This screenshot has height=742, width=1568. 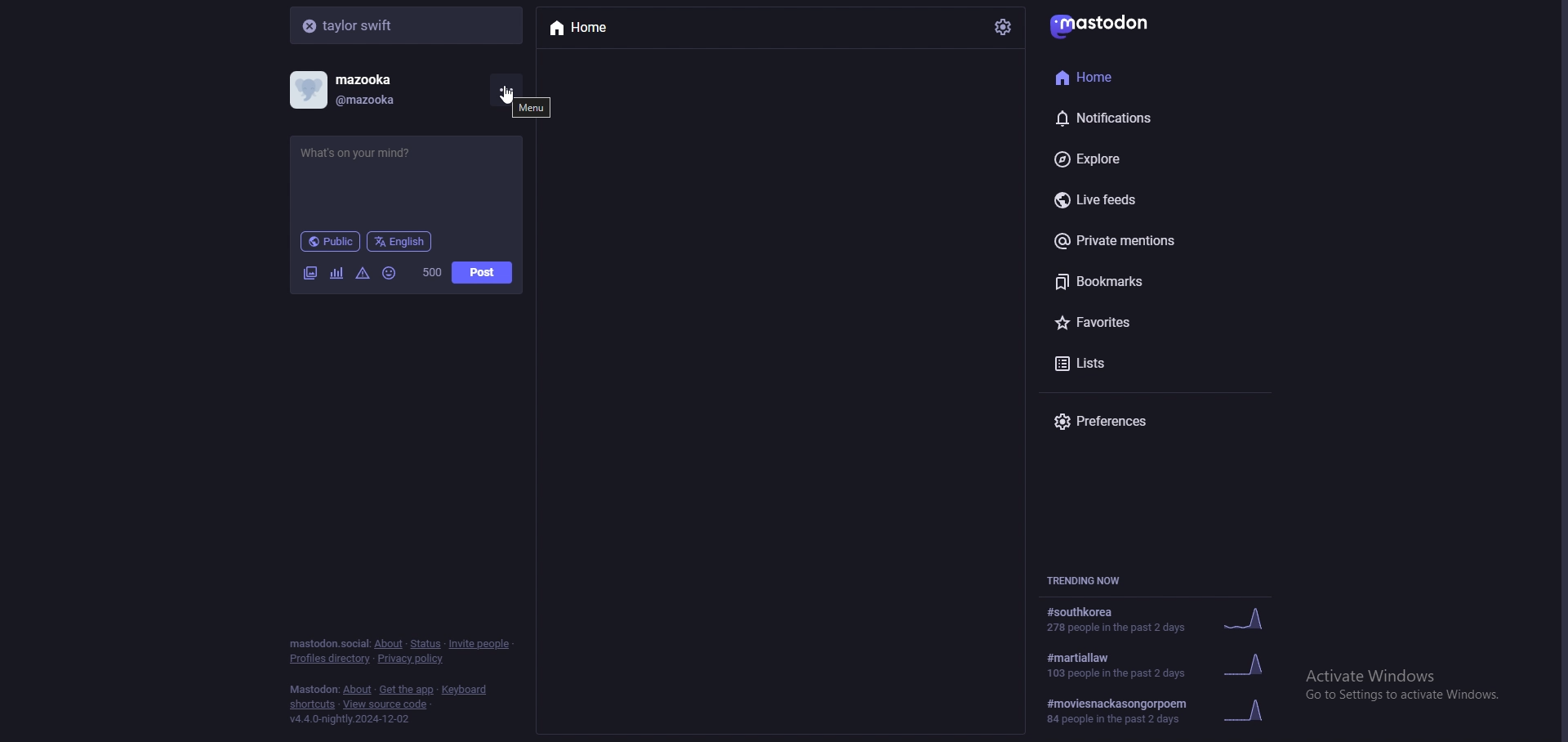 What do you see at coordinates (412, 659) in the screenshot?
I see `privacy policy` at bounding box center [412, 659].